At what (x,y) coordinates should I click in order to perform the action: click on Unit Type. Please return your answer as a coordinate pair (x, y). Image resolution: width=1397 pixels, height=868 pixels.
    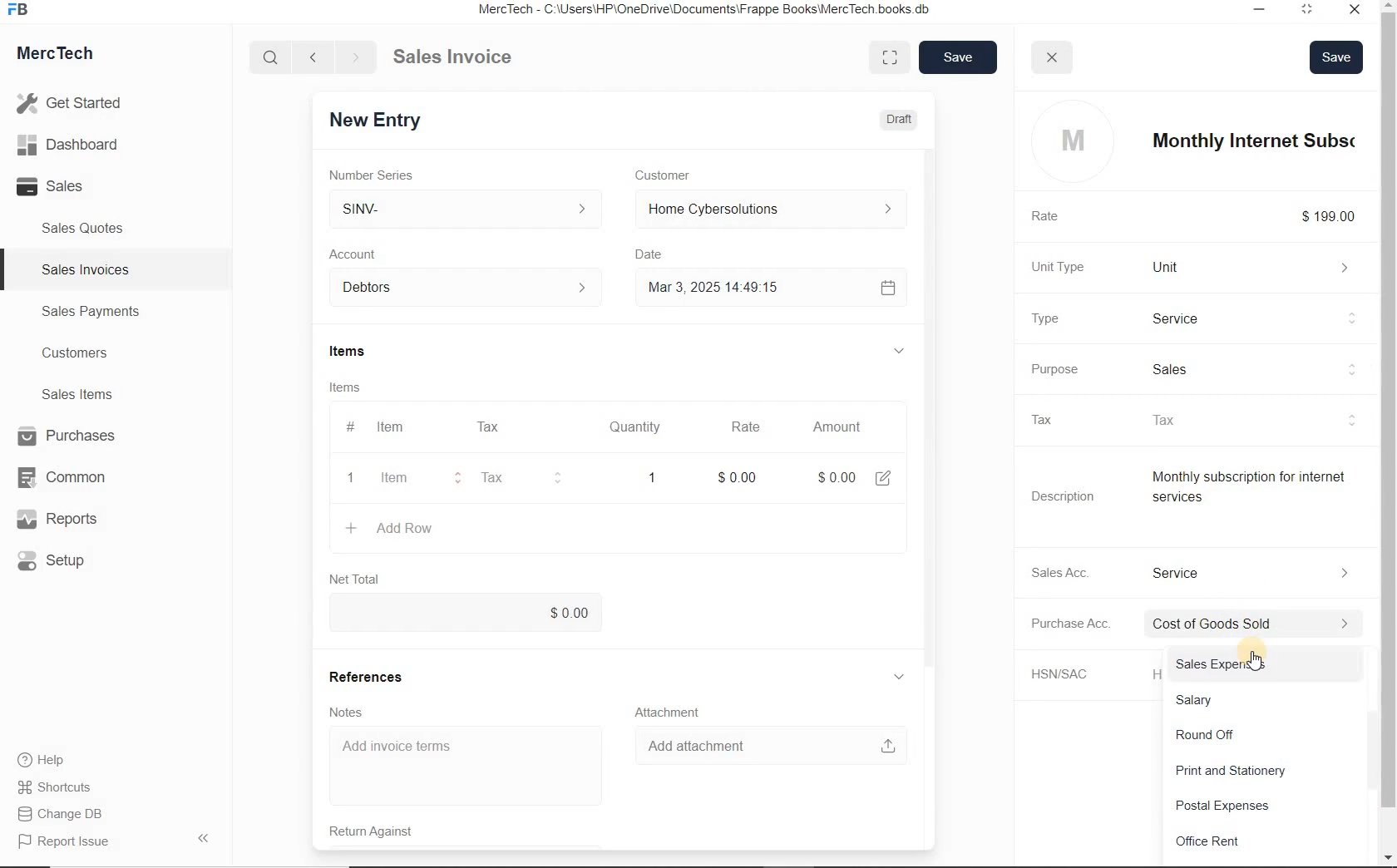
    Looking at the image, I should click on (1071, 267).